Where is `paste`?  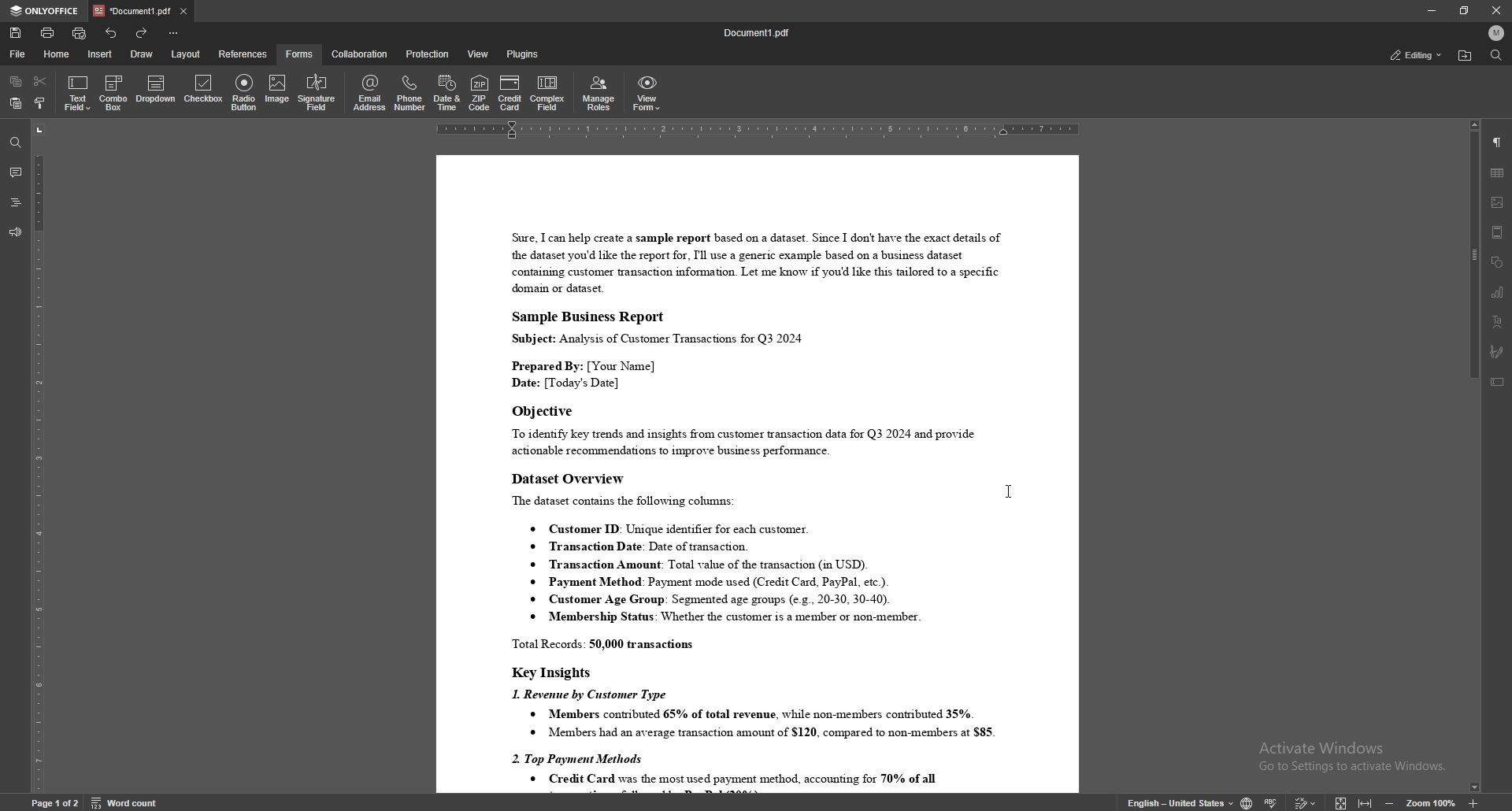
paste is located at coordinates (14, 104).